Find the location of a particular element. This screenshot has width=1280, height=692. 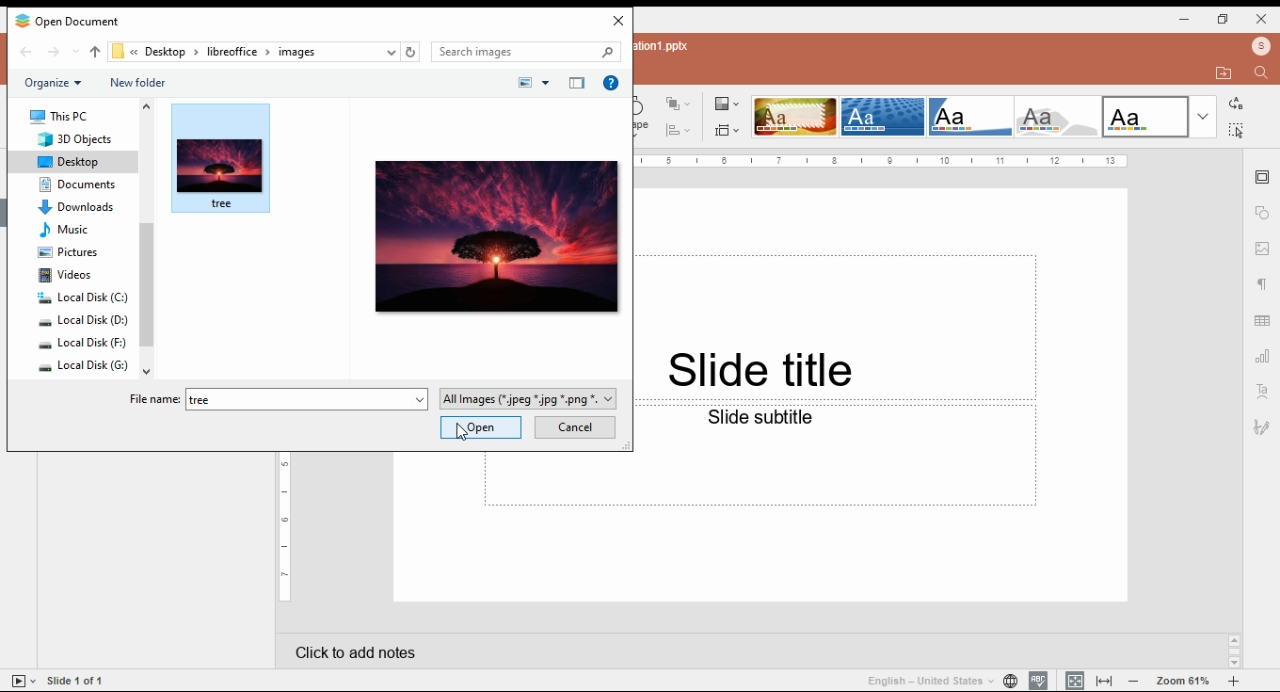

color themes is located at coordinates (724, 103).